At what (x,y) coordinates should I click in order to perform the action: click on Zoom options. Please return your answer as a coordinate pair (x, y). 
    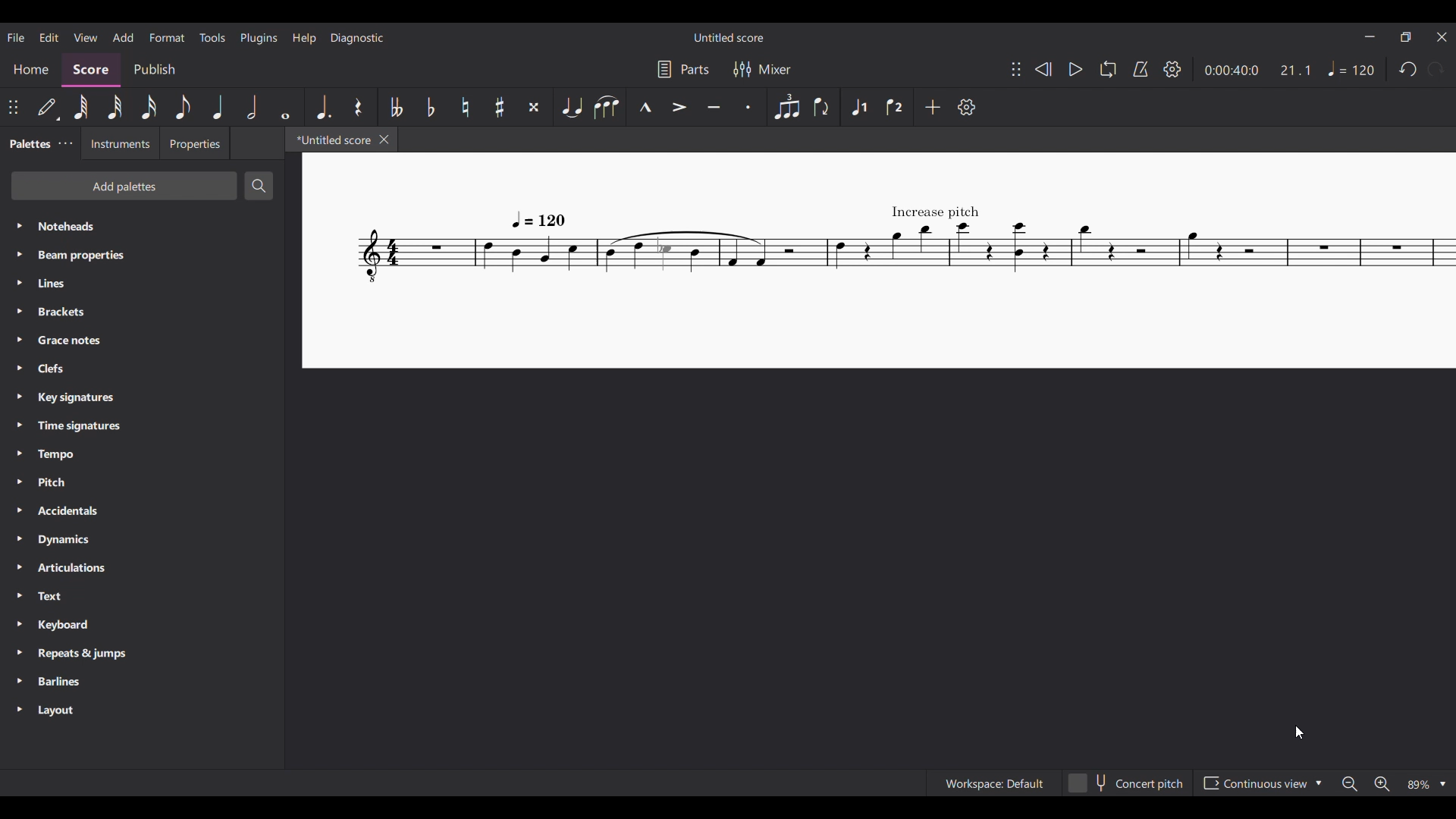
    Looking at the image, I should click on (1426, 784).